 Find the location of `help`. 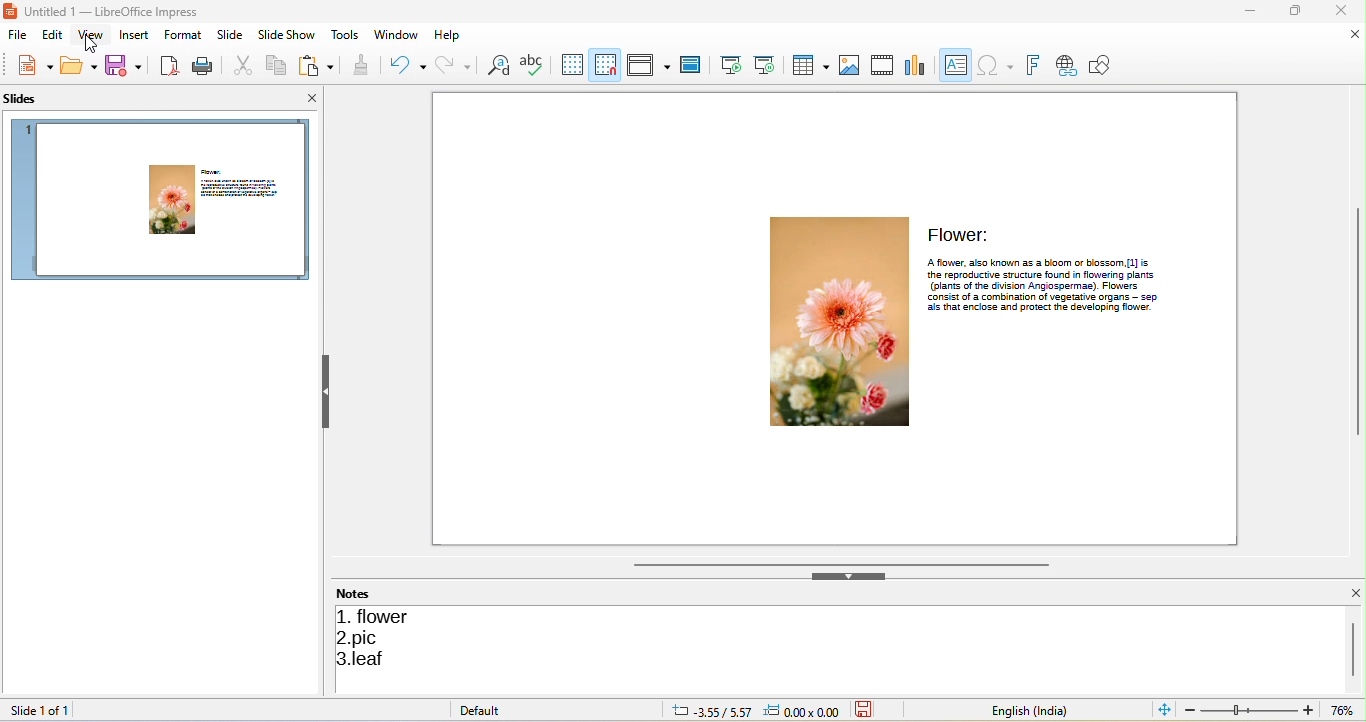

help is located at coordinates (450, 34).